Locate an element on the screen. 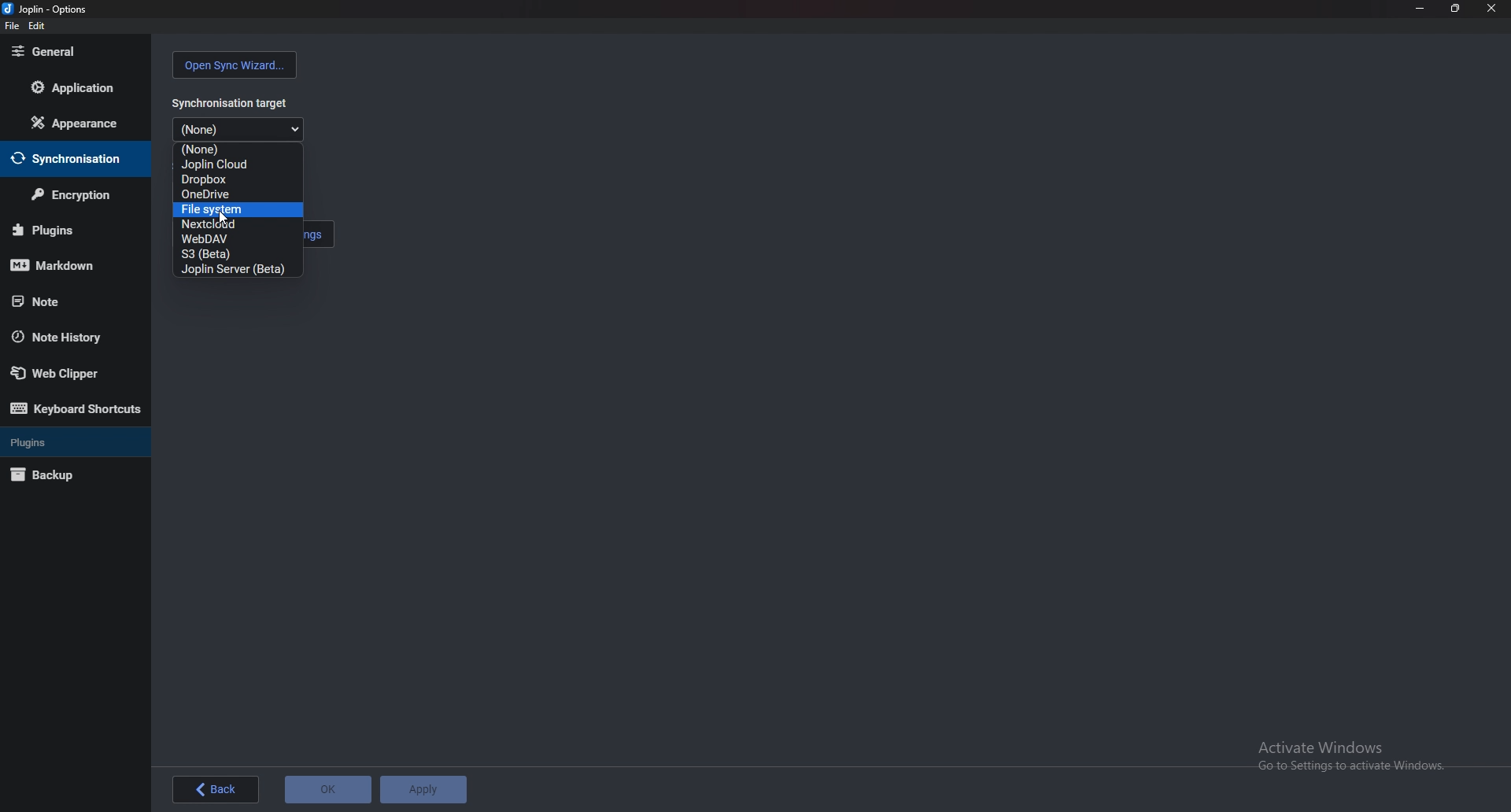 This screenshot has height=812, width=1511. web clipper is located at coordinates (68, 372).